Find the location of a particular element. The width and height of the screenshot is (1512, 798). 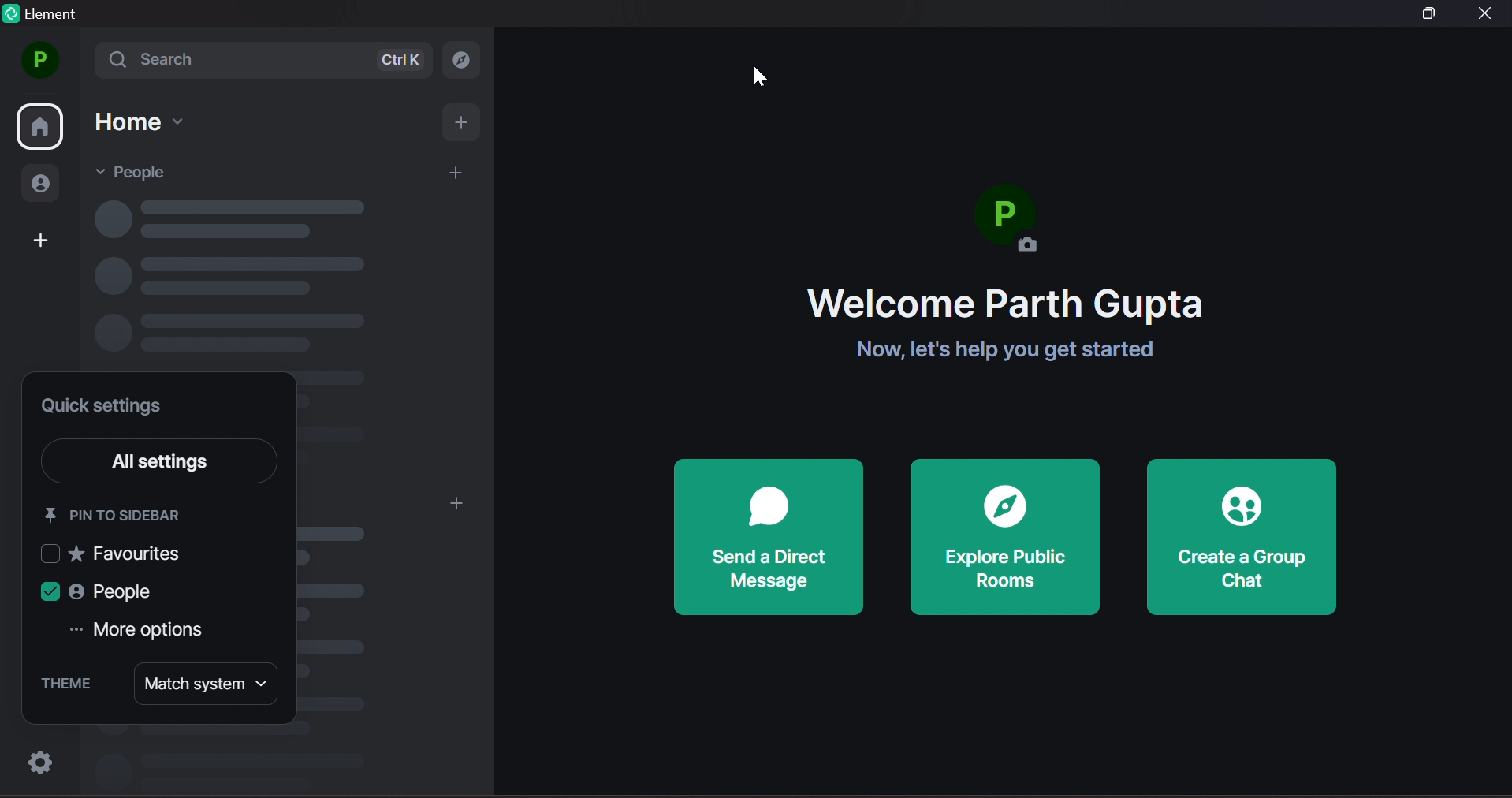

PIN TO SIDEBAR is located at coordinates (117, 514).